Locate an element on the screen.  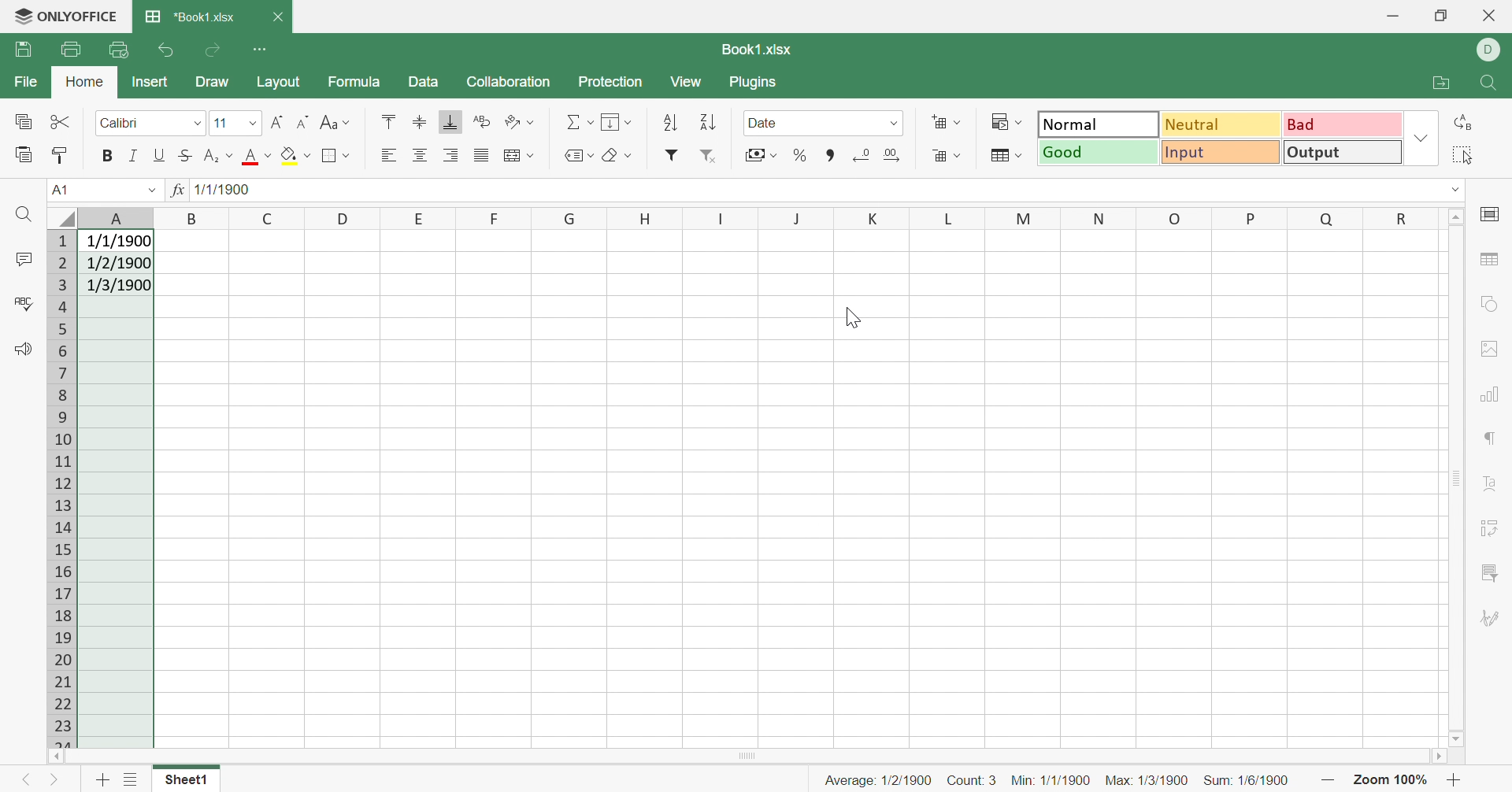
Scroll bar is located at coordinates (1458, 477).